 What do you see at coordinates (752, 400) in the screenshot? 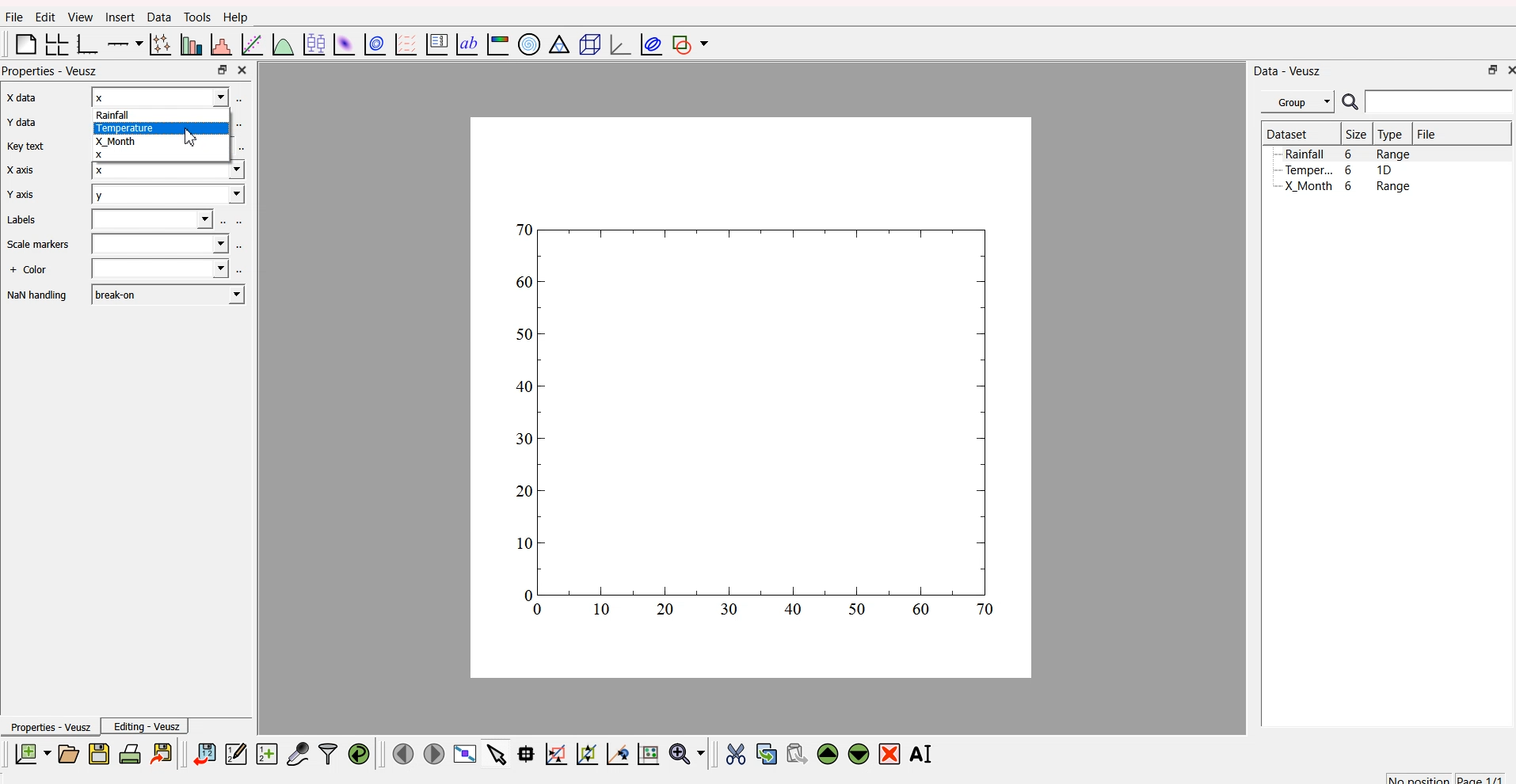
I see `canvas` at bounding box center [752, 400].